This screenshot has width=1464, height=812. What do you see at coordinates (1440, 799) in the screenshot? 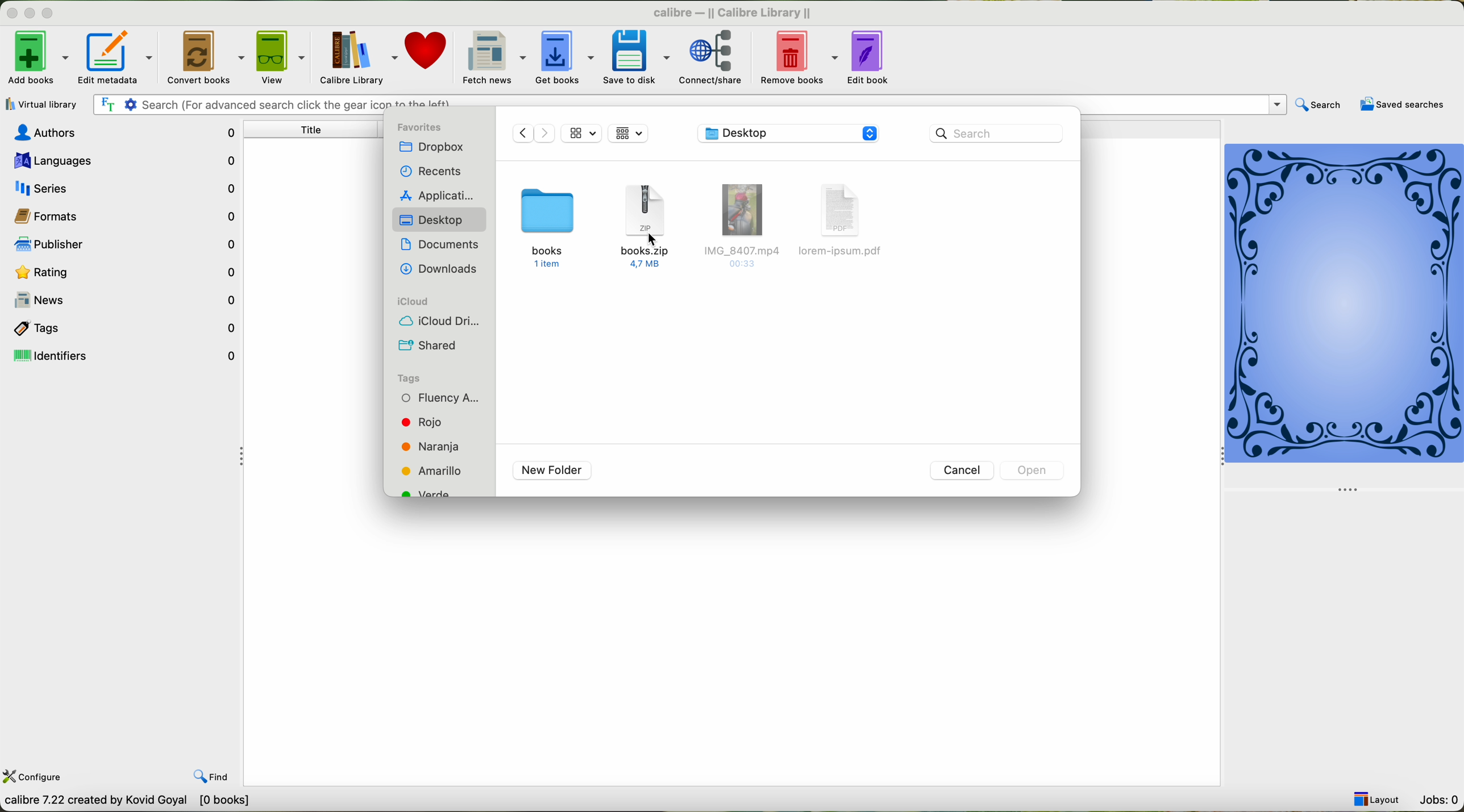
I see `jobs: 0` at bounding box center [1440, 799].